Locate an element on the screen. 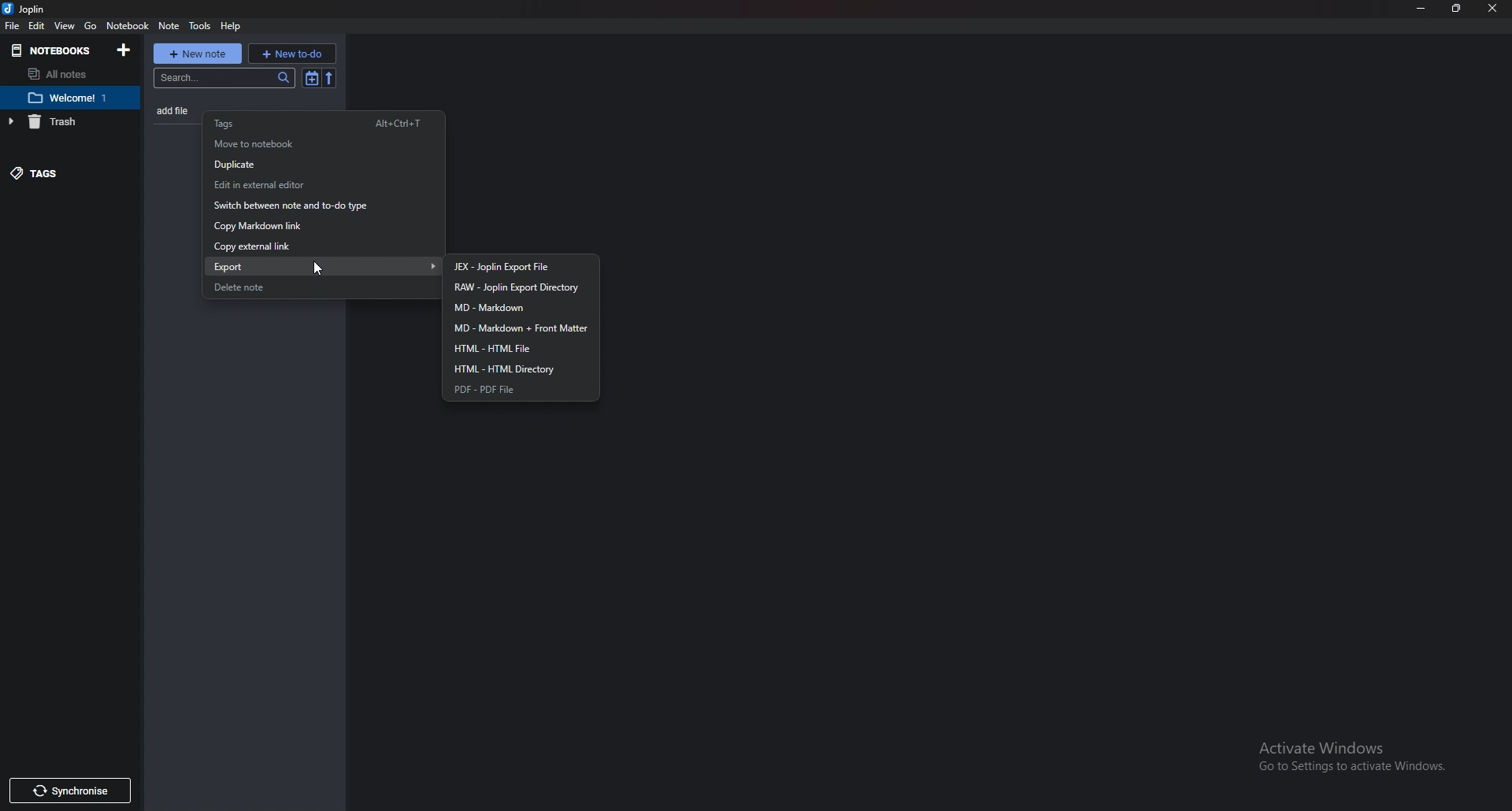  Add notebooks is located at coordinates (127, 49).